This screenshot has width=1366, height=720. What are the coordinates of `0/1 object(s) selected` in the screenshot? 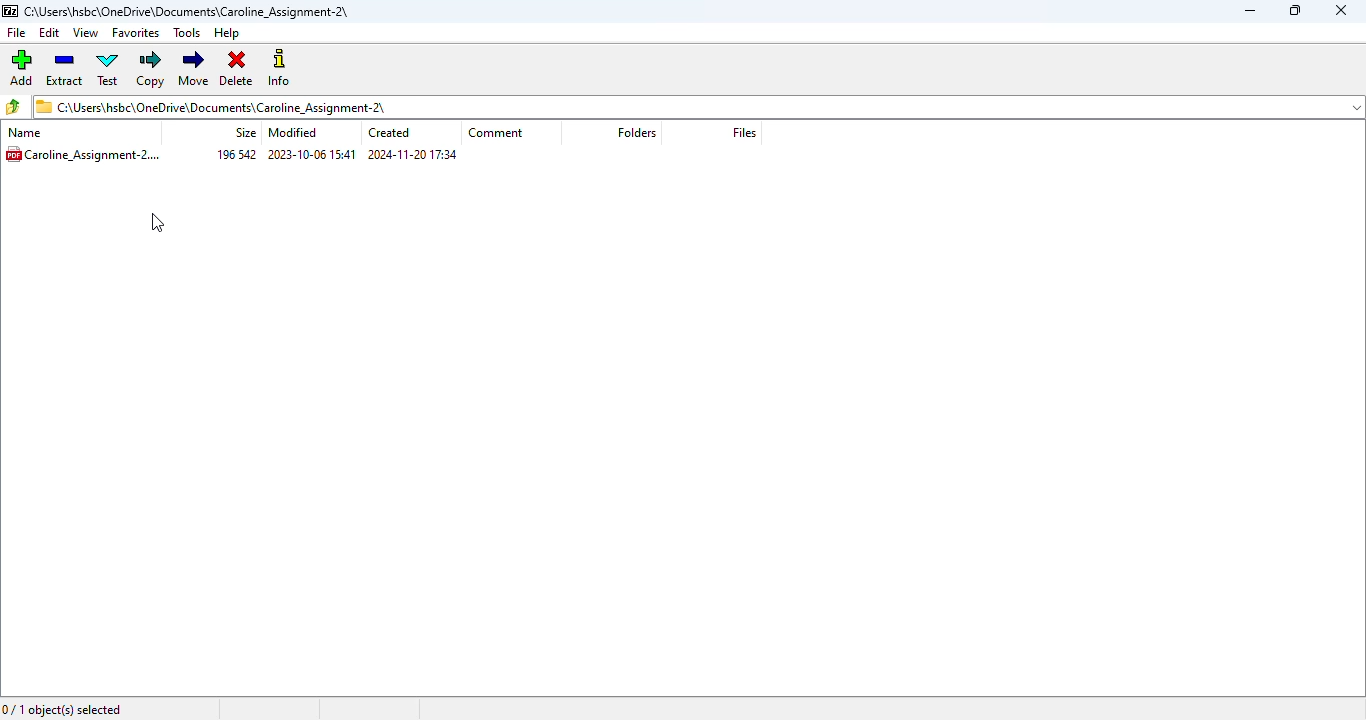 It's located at (62, 708).